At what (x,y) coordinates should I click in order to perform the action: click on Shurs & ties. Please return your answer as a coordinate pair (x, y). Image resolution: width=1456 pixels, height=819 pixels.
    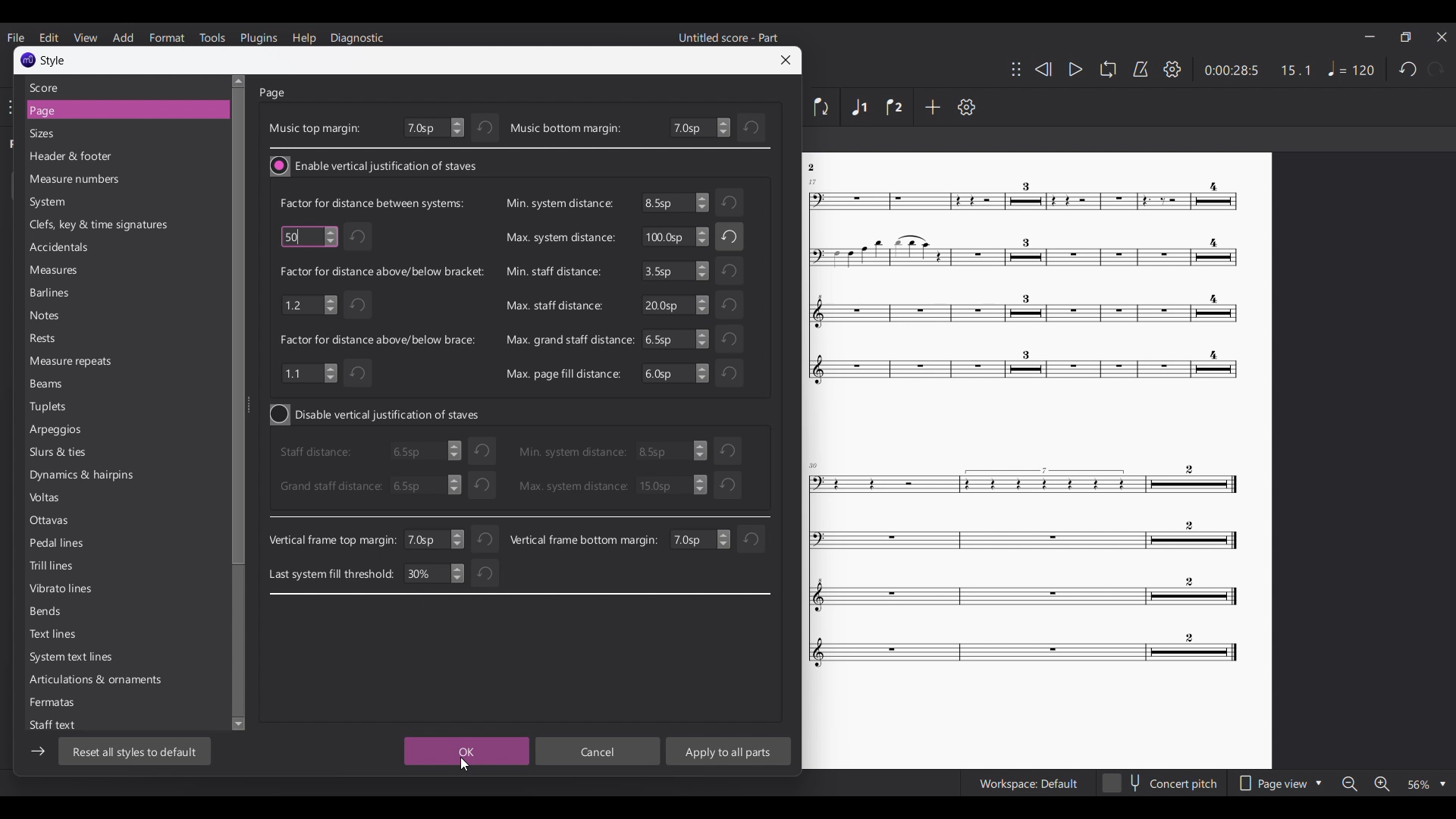
    Looking at the image, I should click on (68, 453).